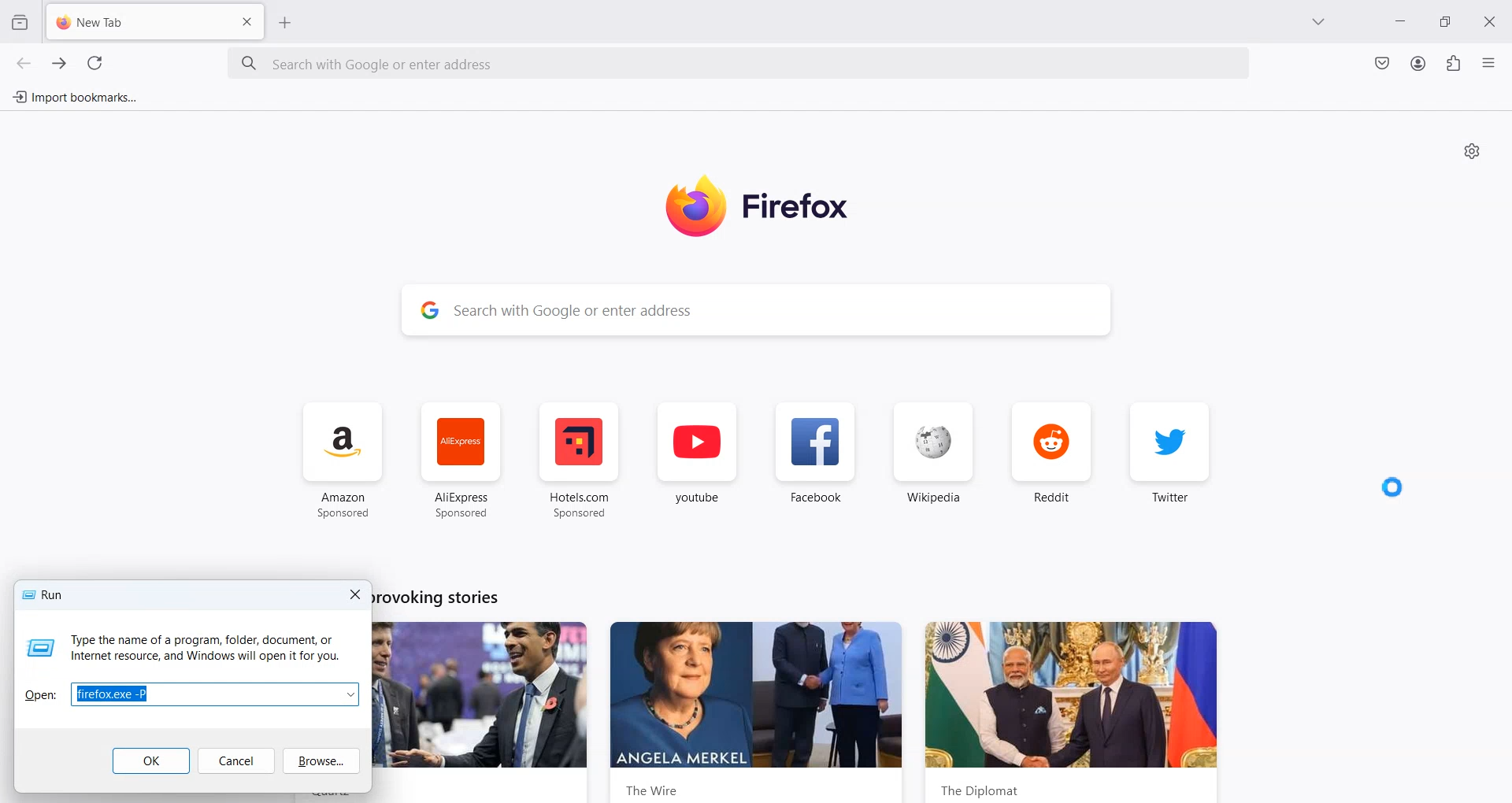 The image size is (1512, 803). I want to click on Cancel, so click(235, 761).